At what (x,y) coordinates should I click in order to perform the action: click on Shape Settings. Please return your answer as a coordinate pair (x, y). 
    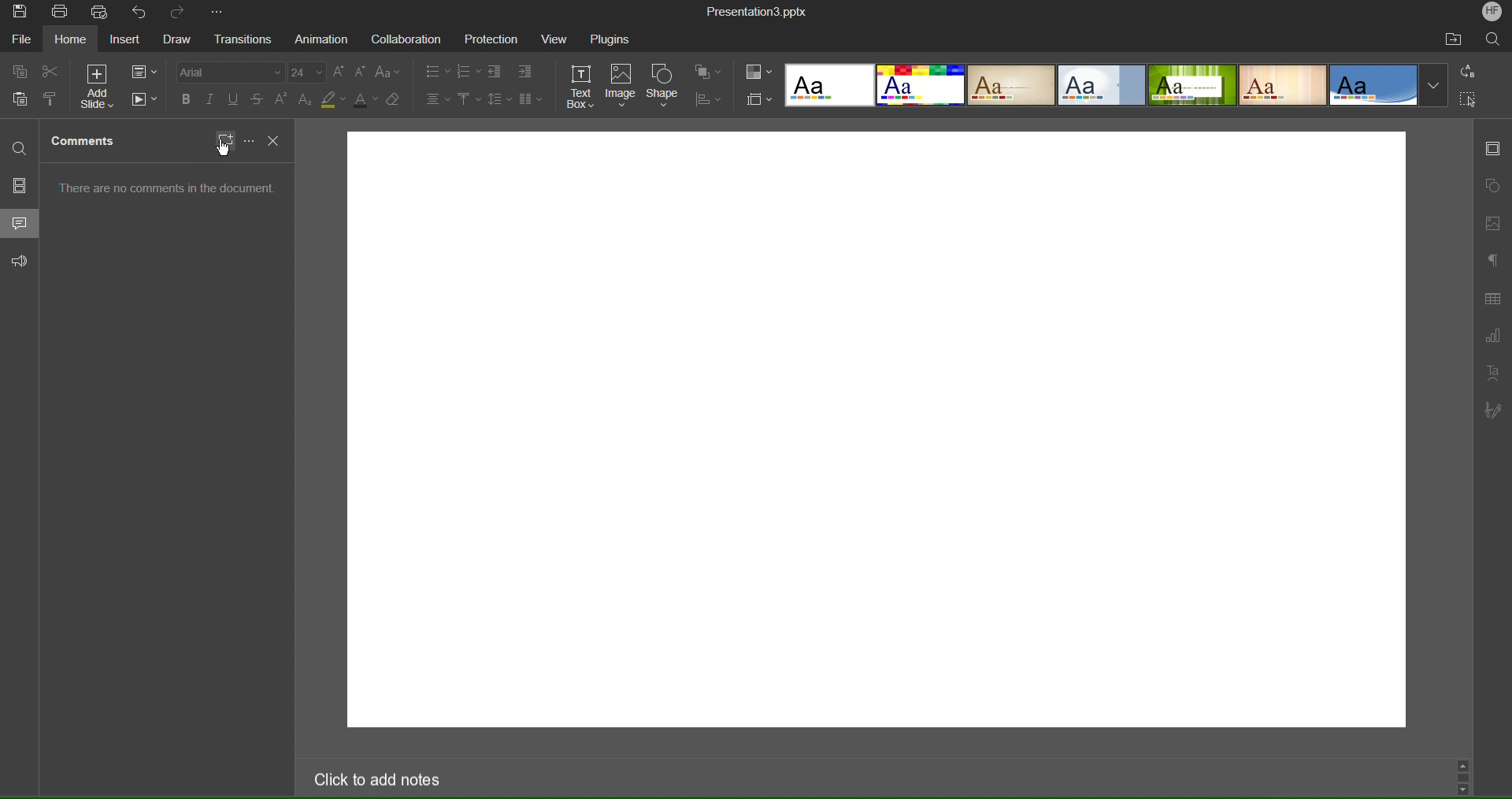
    Looking at the image, I should click on (1493, 186).